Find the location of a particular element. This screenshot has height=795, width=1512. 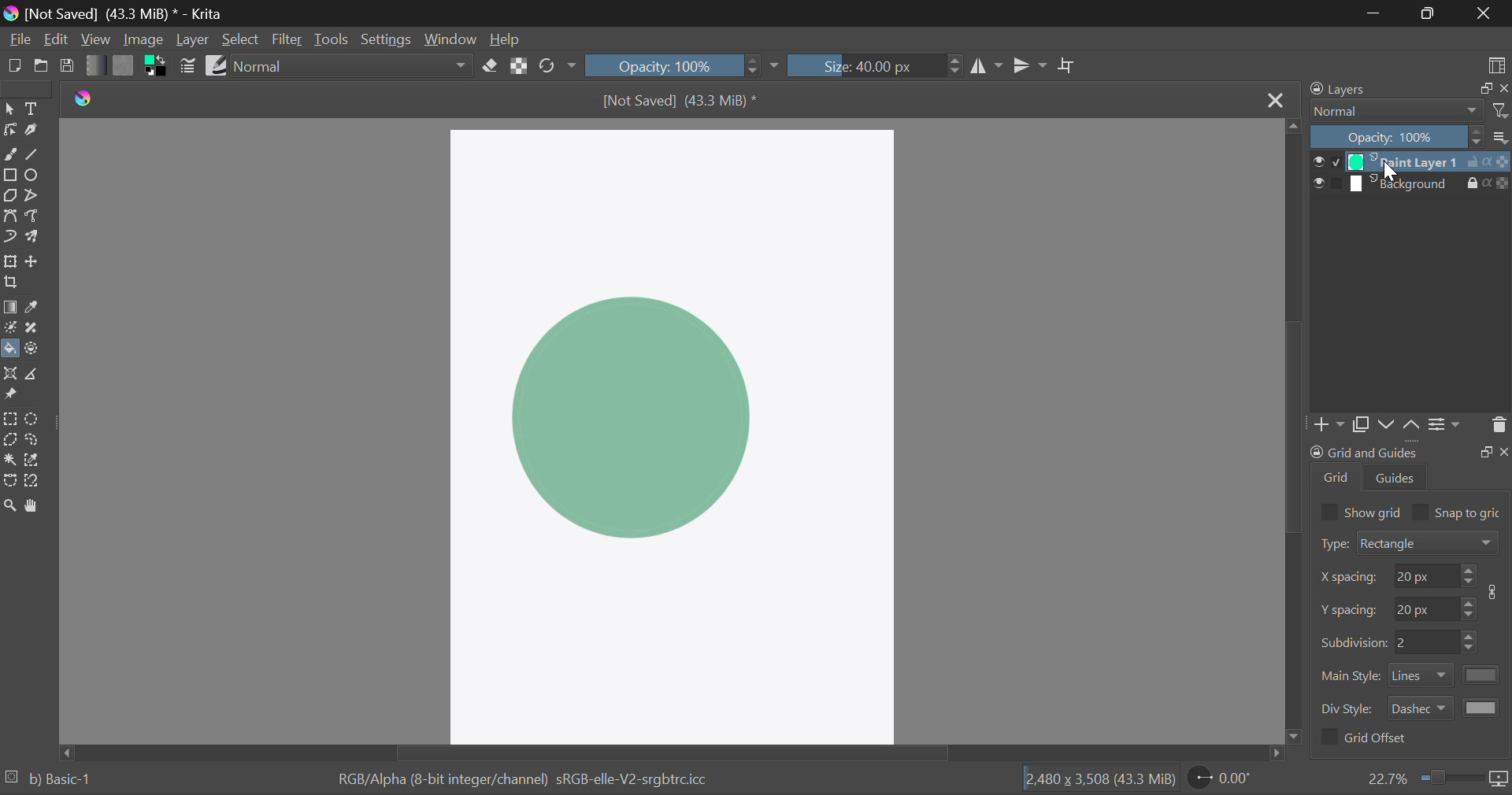

Layer is located at coordinates (193, 41).